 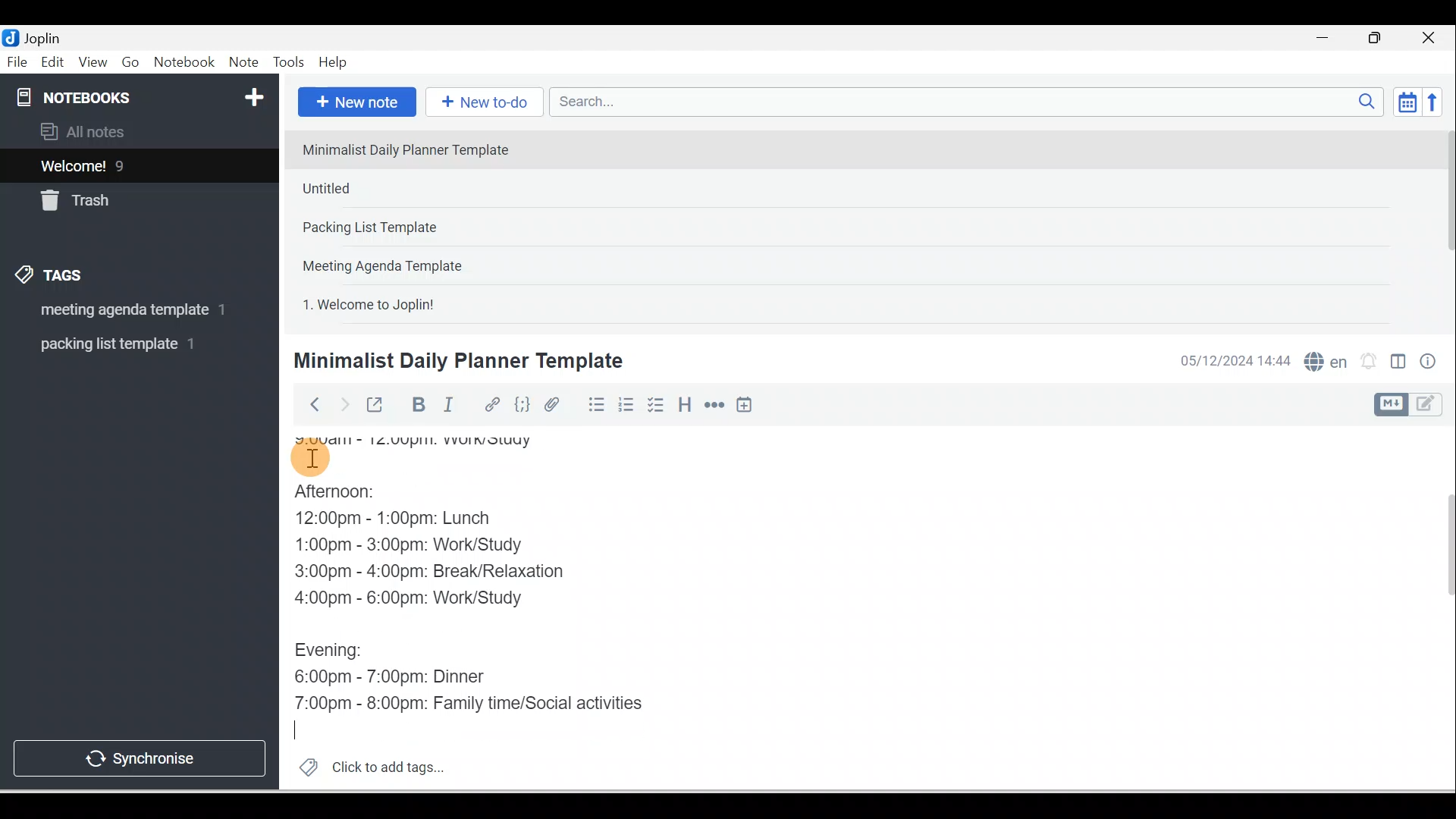 I want to click on Trash, so click(x=111, y=196).